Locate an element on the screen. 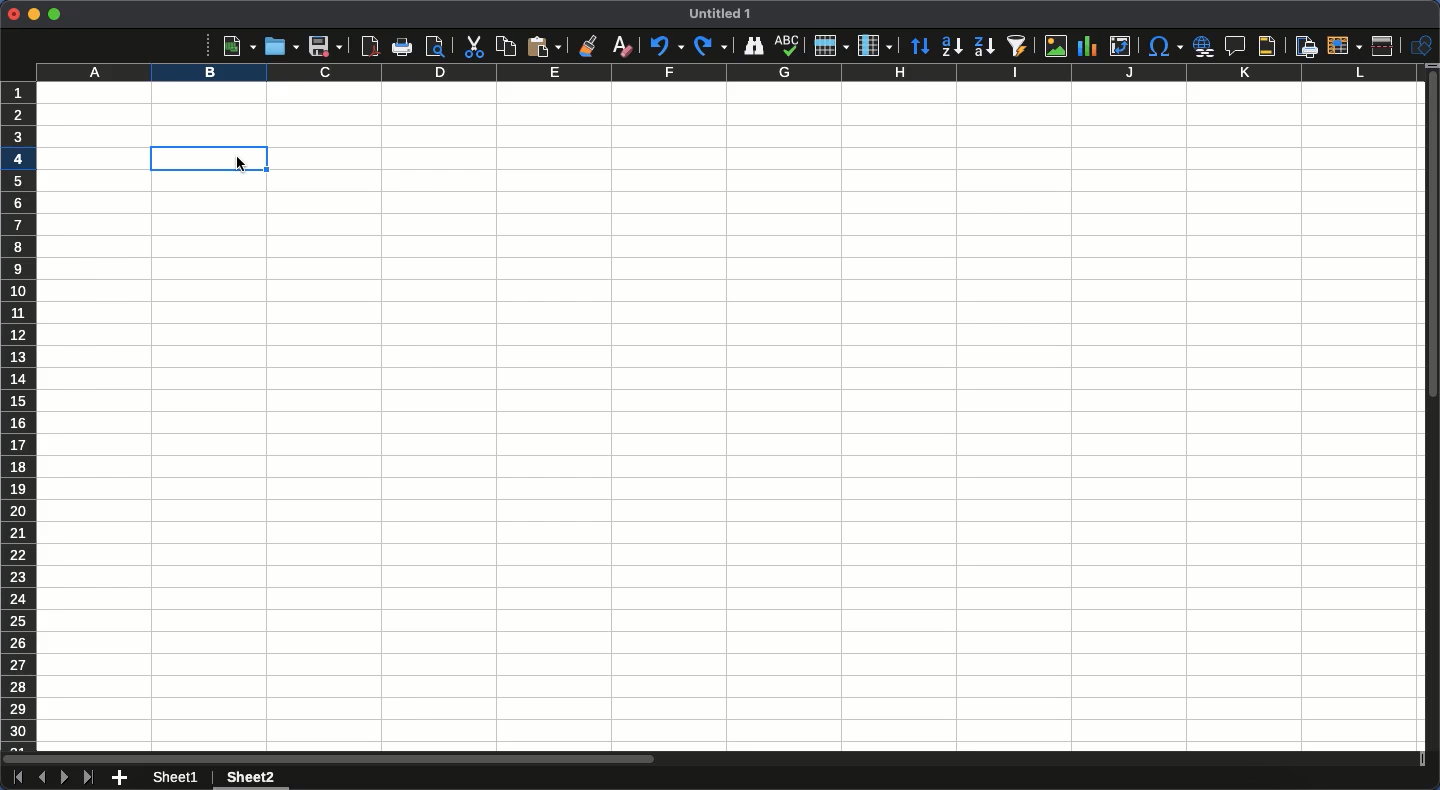 The image size is (1440, 790). Print is located at coordinates (404, 47).